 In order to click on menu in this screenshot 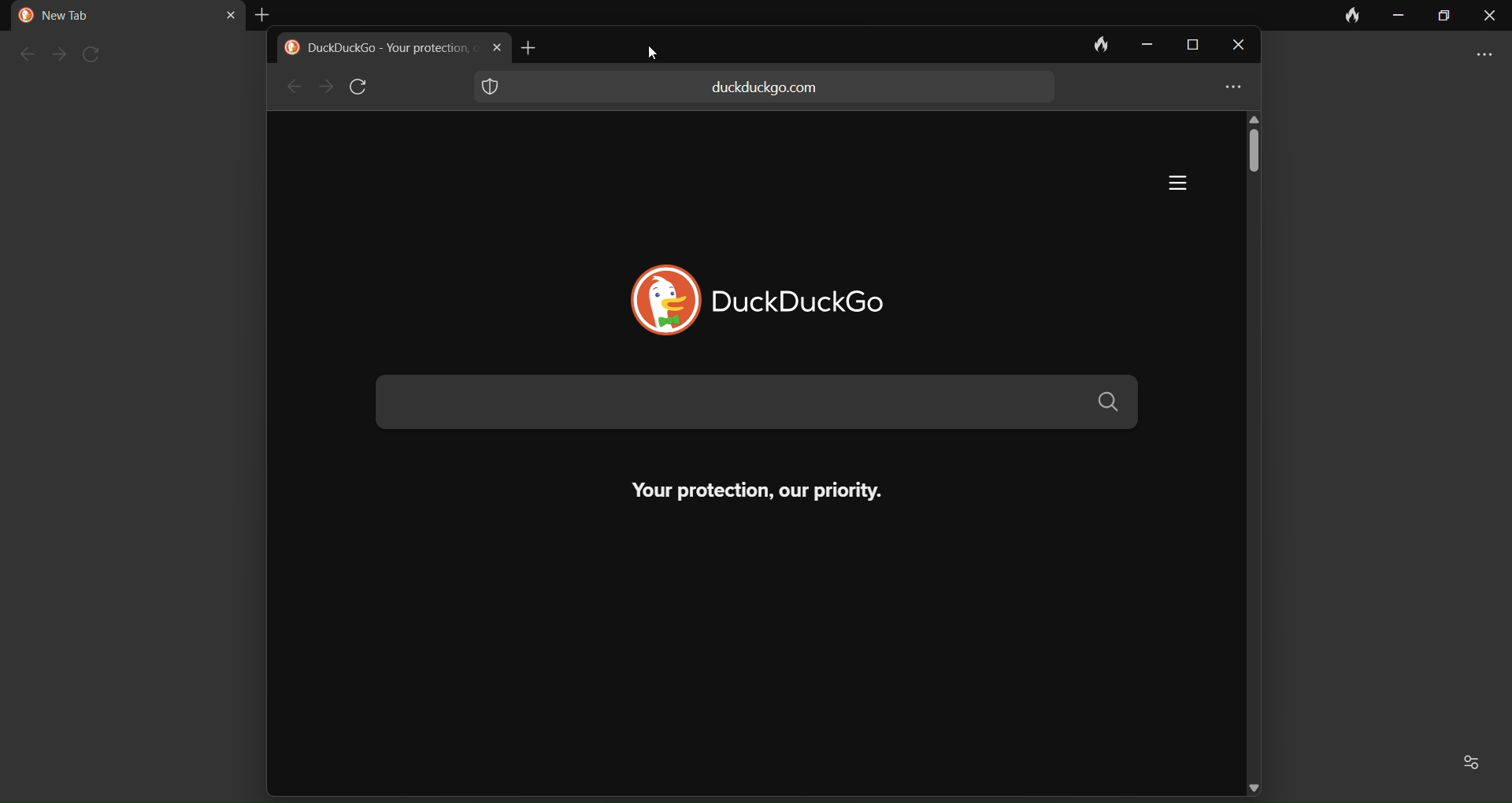, I will do `click(1228, 89)`.